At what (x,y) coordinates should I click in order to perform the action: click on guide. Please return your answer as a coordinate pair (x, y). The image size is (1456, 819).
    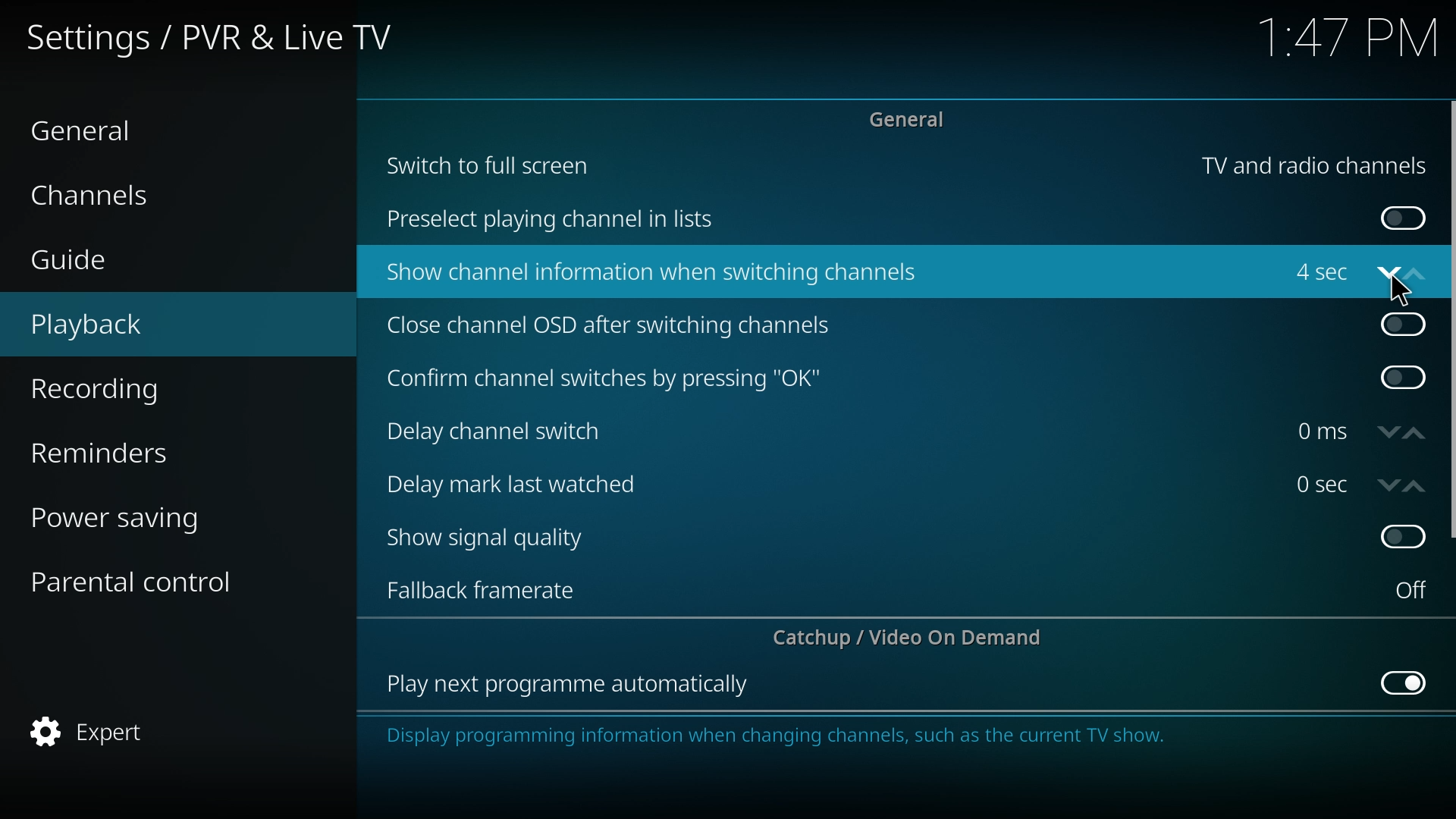
    Looking at the image, I should click on (124, 262).